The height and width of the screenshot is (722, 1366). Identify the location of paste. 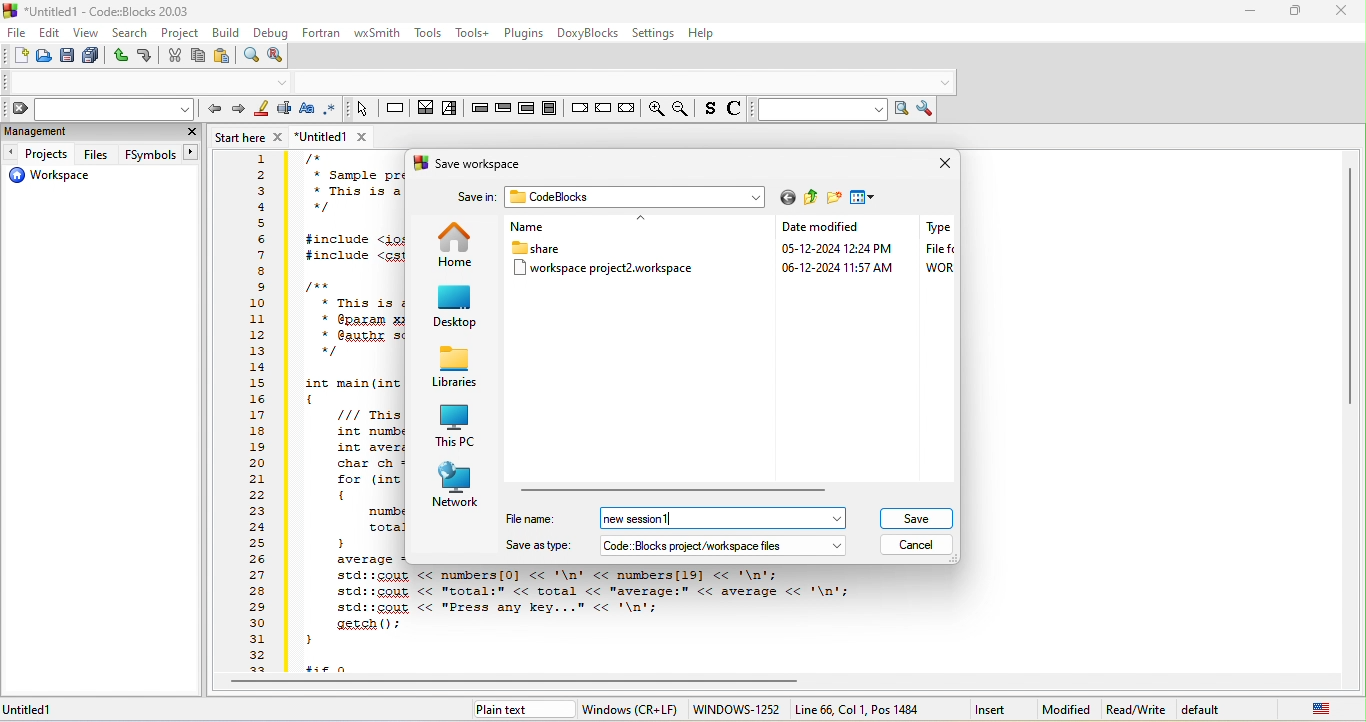
(222, 56).